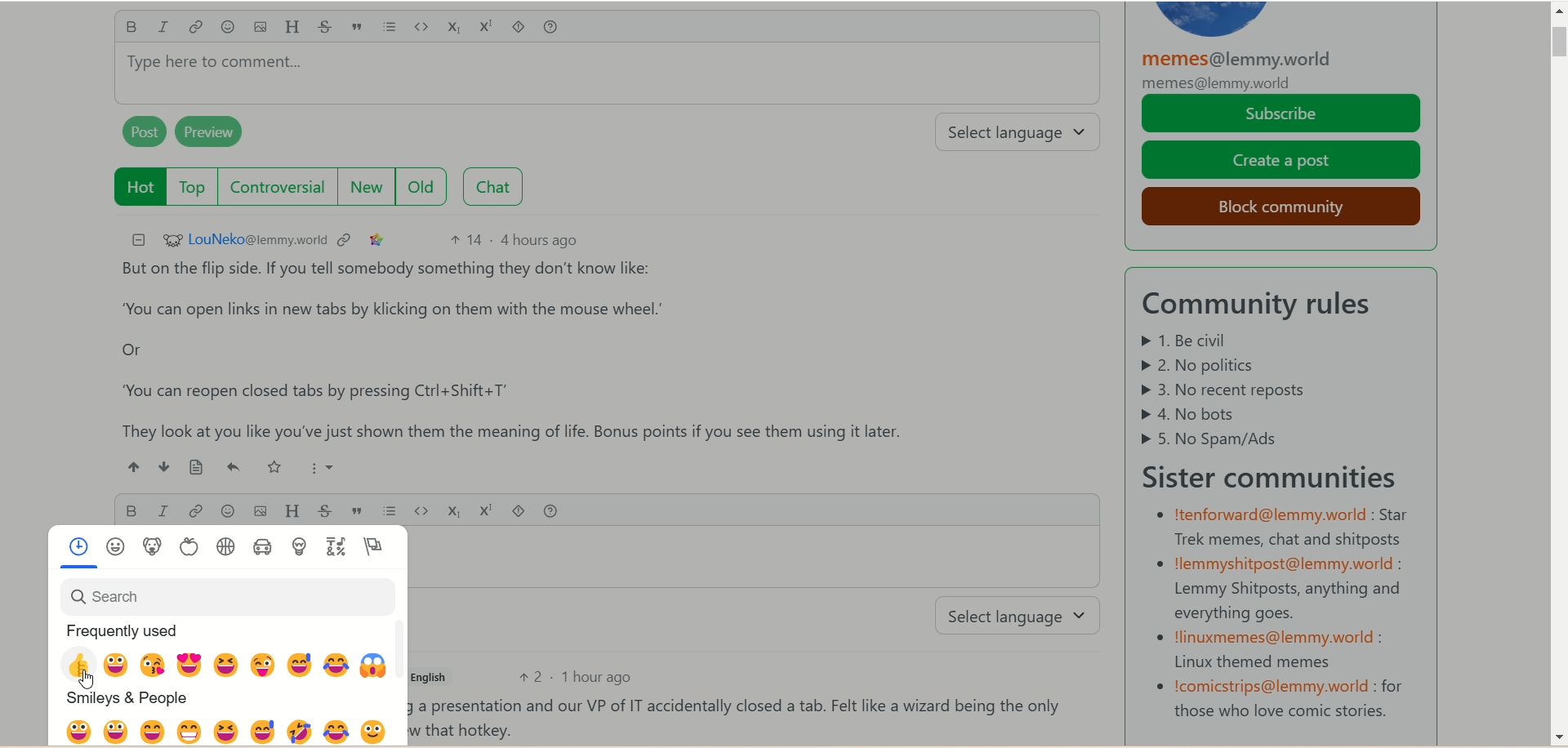 This screenshot has height=748, width=1568. I want to click on code, so click(421, 512).